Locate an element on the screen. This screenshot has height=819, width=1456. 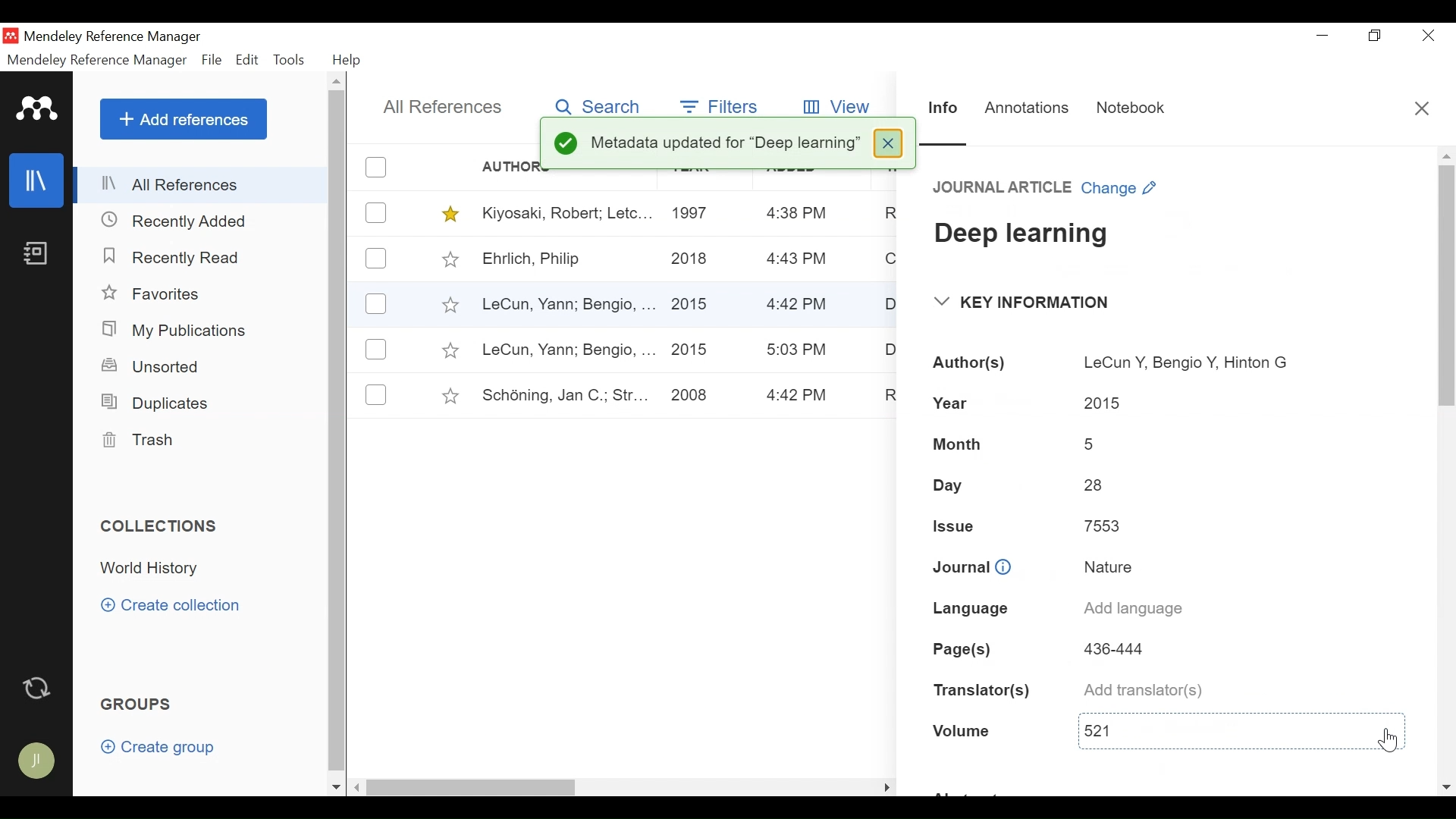
Avatar is located at coordinates (38, 759).